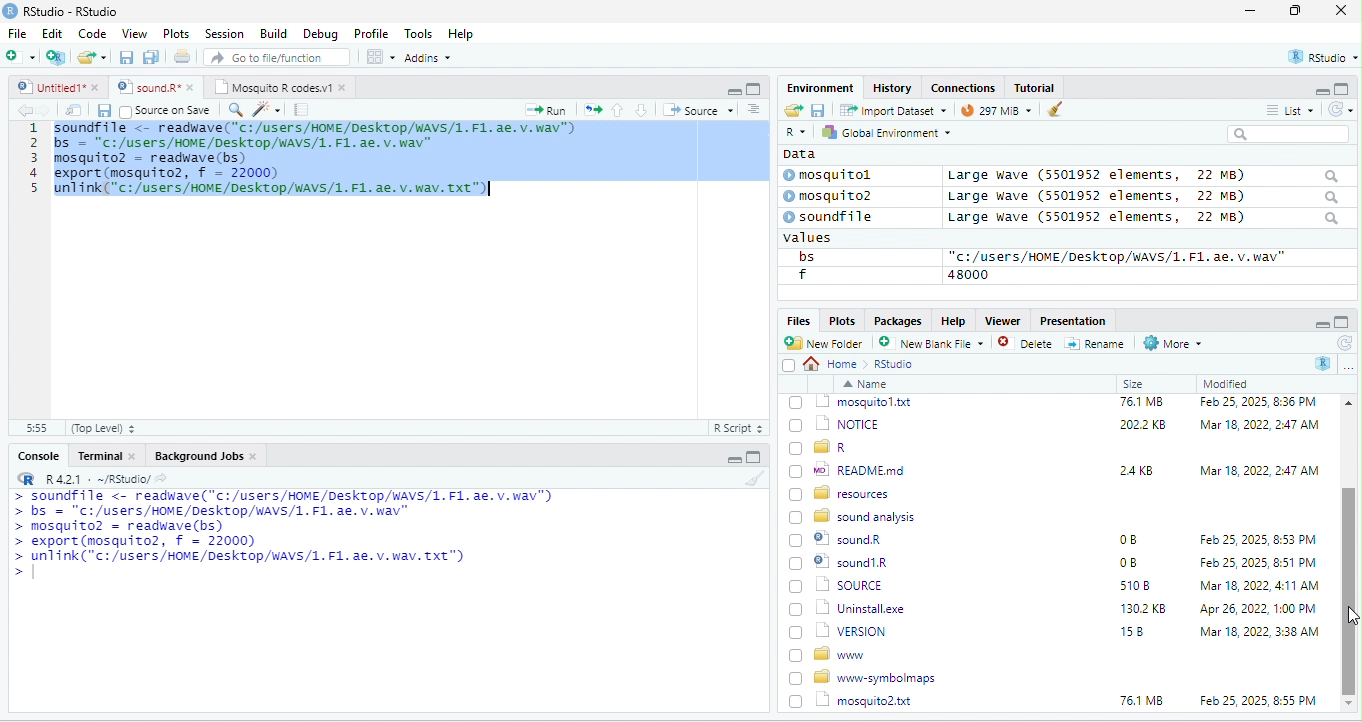  What do you see at coordinates (153, 58) in the screenshot?
I see `save as` at bounding box center [153, 58].